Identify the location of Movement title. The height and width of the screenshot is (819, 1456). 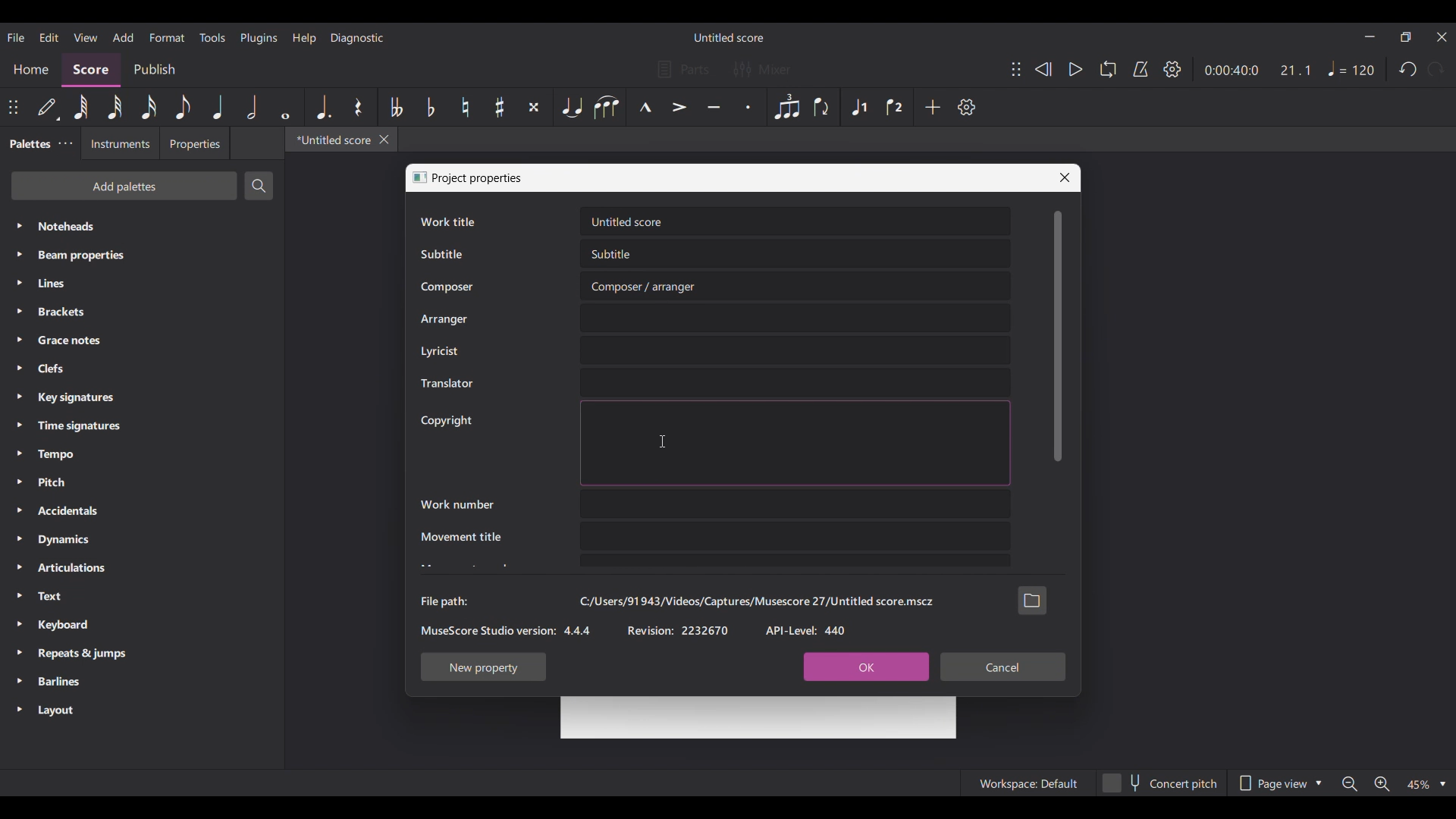
(460, 536).